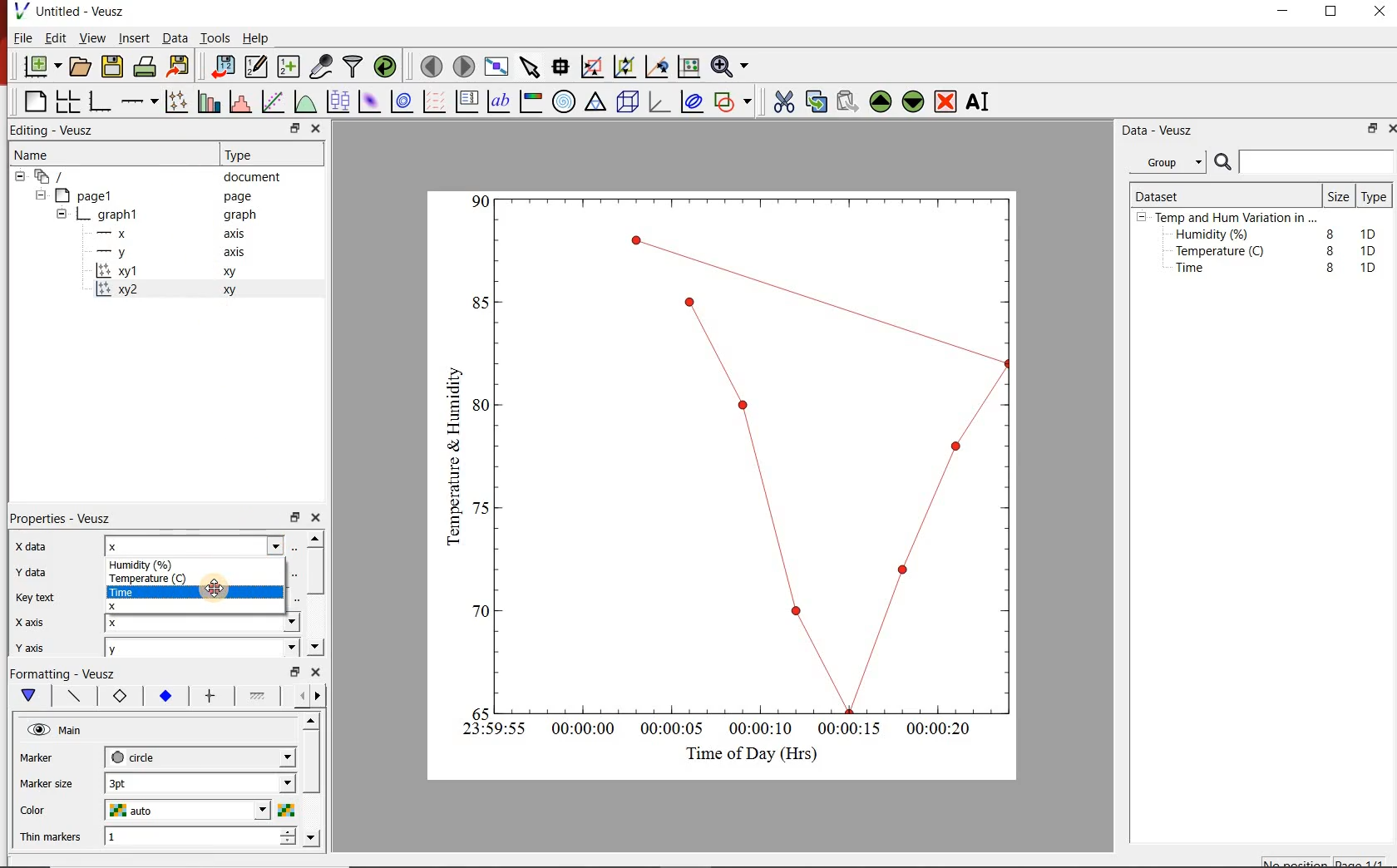  What do you see at coordinates (338, 102) in the screenshot?
I see `plot box plots` at bounding box center [338, 102].